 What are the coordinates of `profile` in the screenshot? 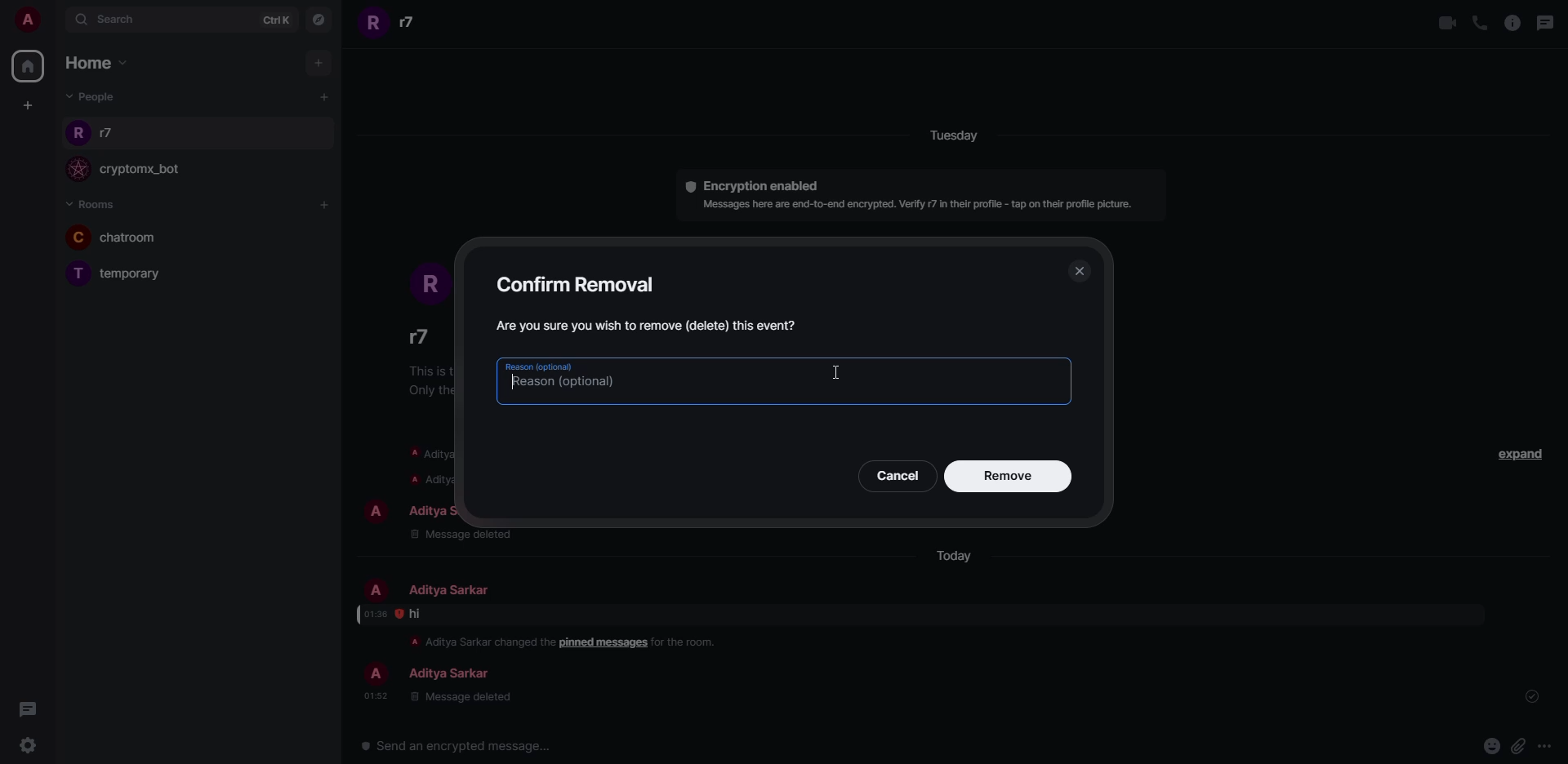 It's located at (79, 273).